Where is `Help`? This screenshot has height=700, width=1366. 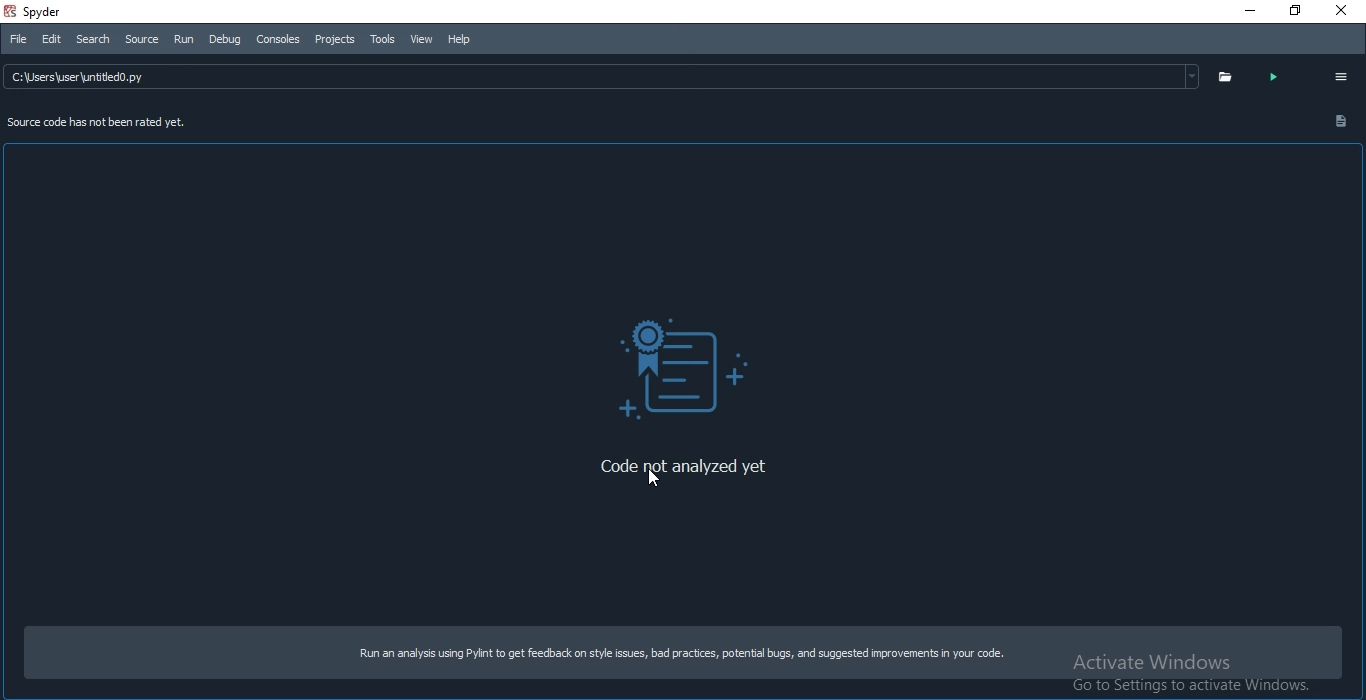
Help is located at coordinates (461, 37).